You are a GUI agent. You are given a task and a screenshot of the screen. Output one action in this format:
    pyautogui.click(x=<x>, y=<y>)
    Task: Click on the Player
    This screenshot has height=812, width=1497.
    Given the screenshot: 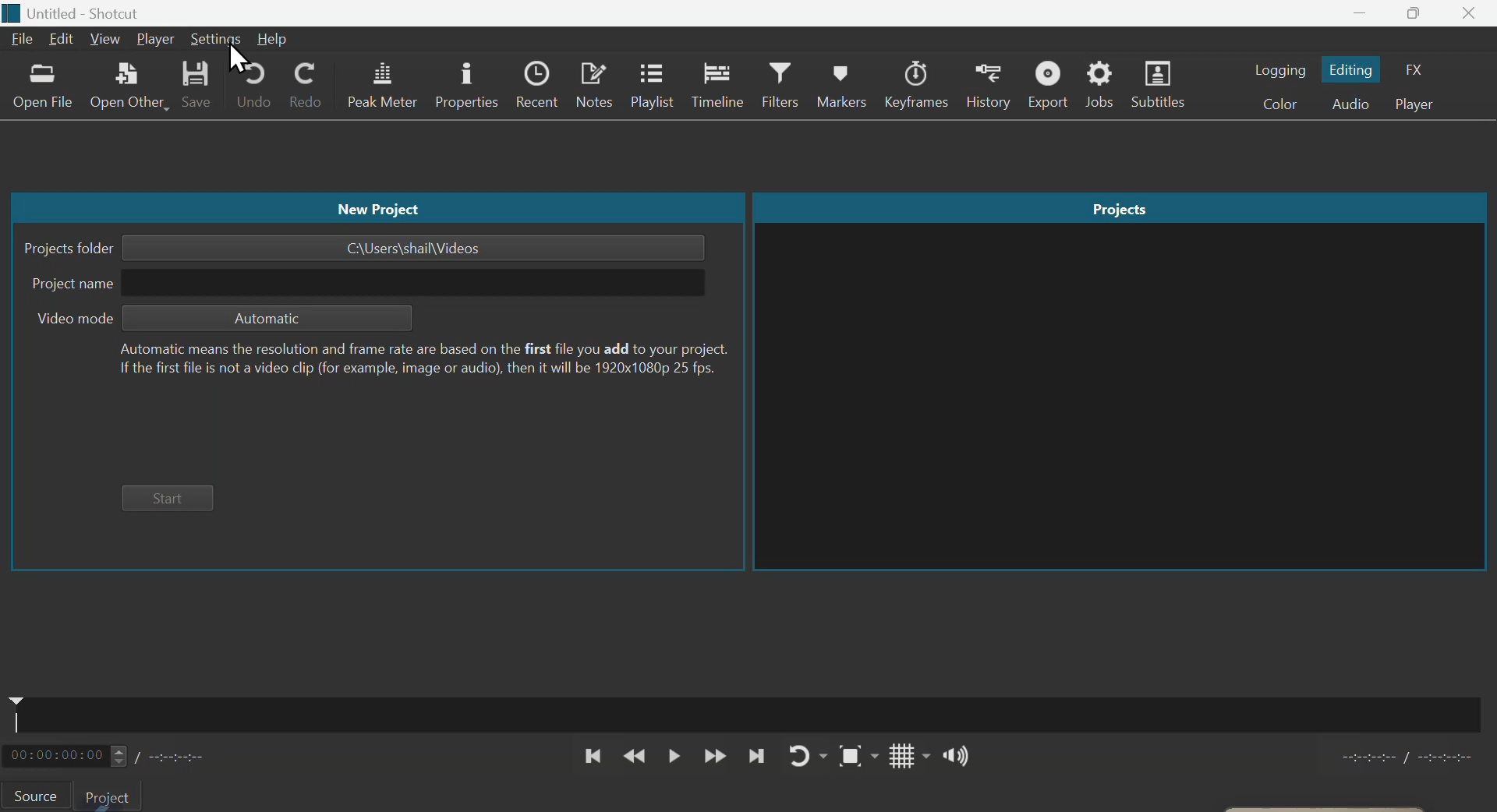 What is the action you would take?
    pyautogui.click(x=1422, y=104)
    